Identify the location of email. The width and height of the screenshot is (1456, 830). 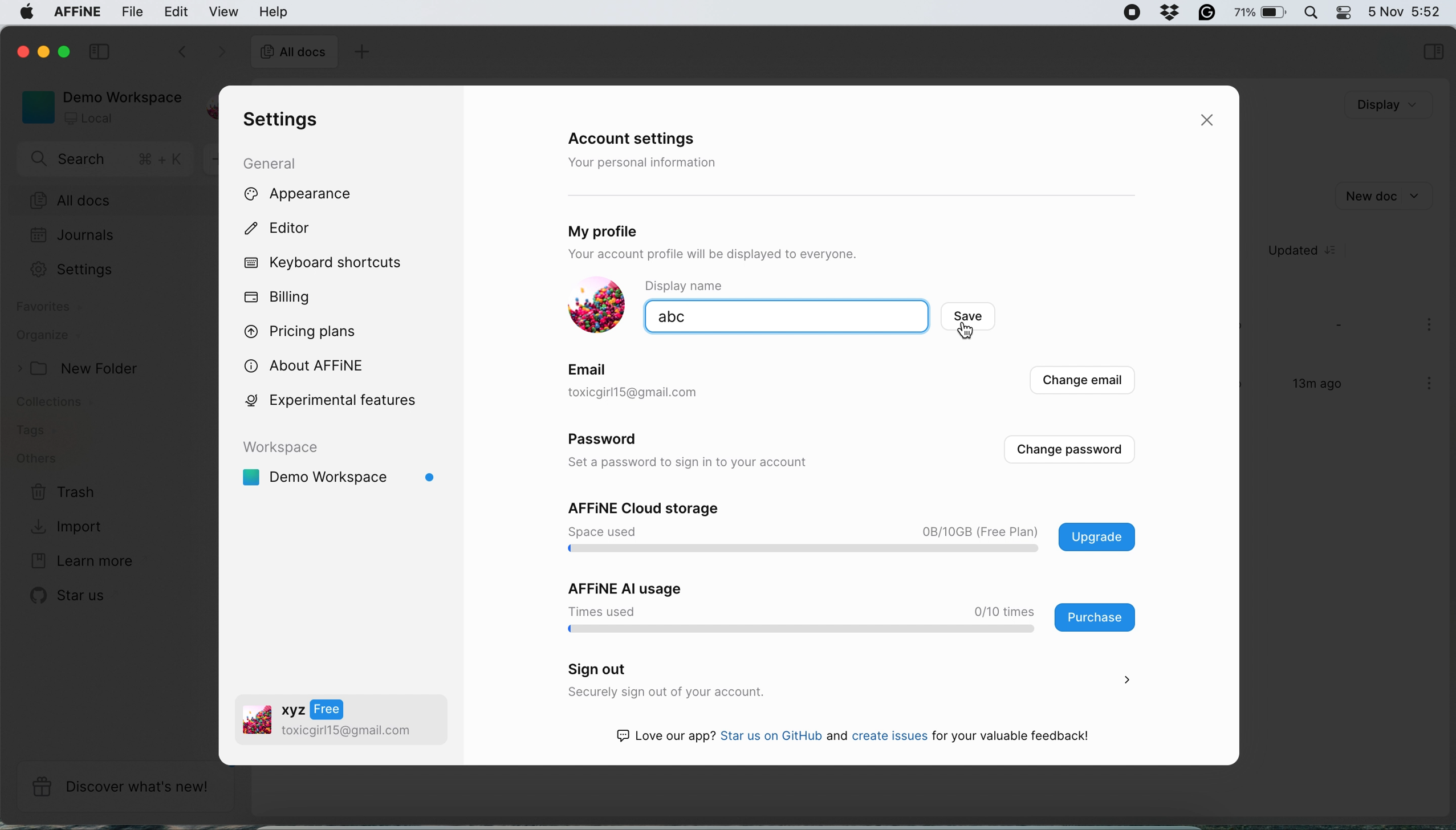
(590, 368).